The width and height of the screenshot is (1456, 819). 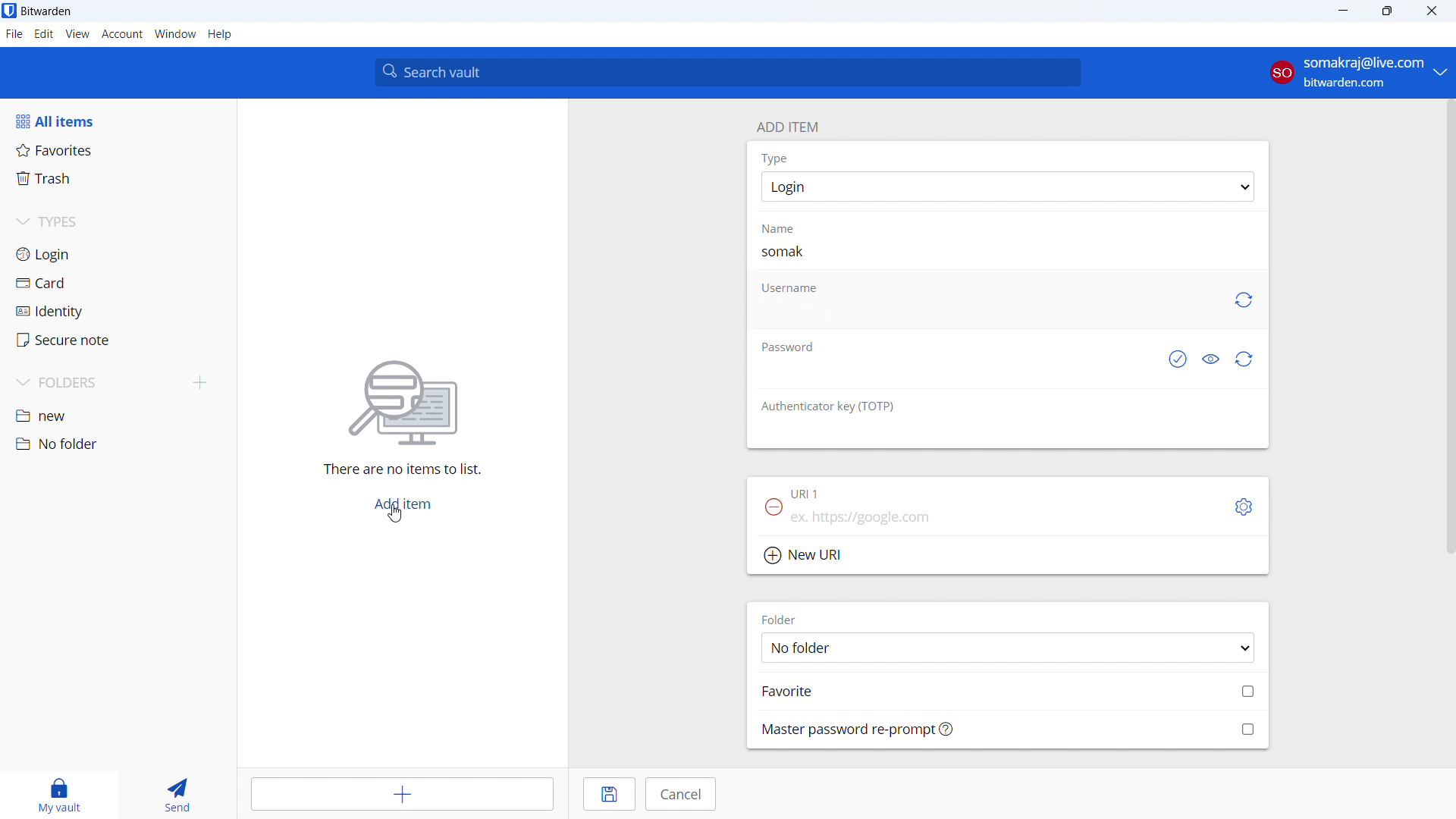 I want to click on folders, so click(x=96, y=383).